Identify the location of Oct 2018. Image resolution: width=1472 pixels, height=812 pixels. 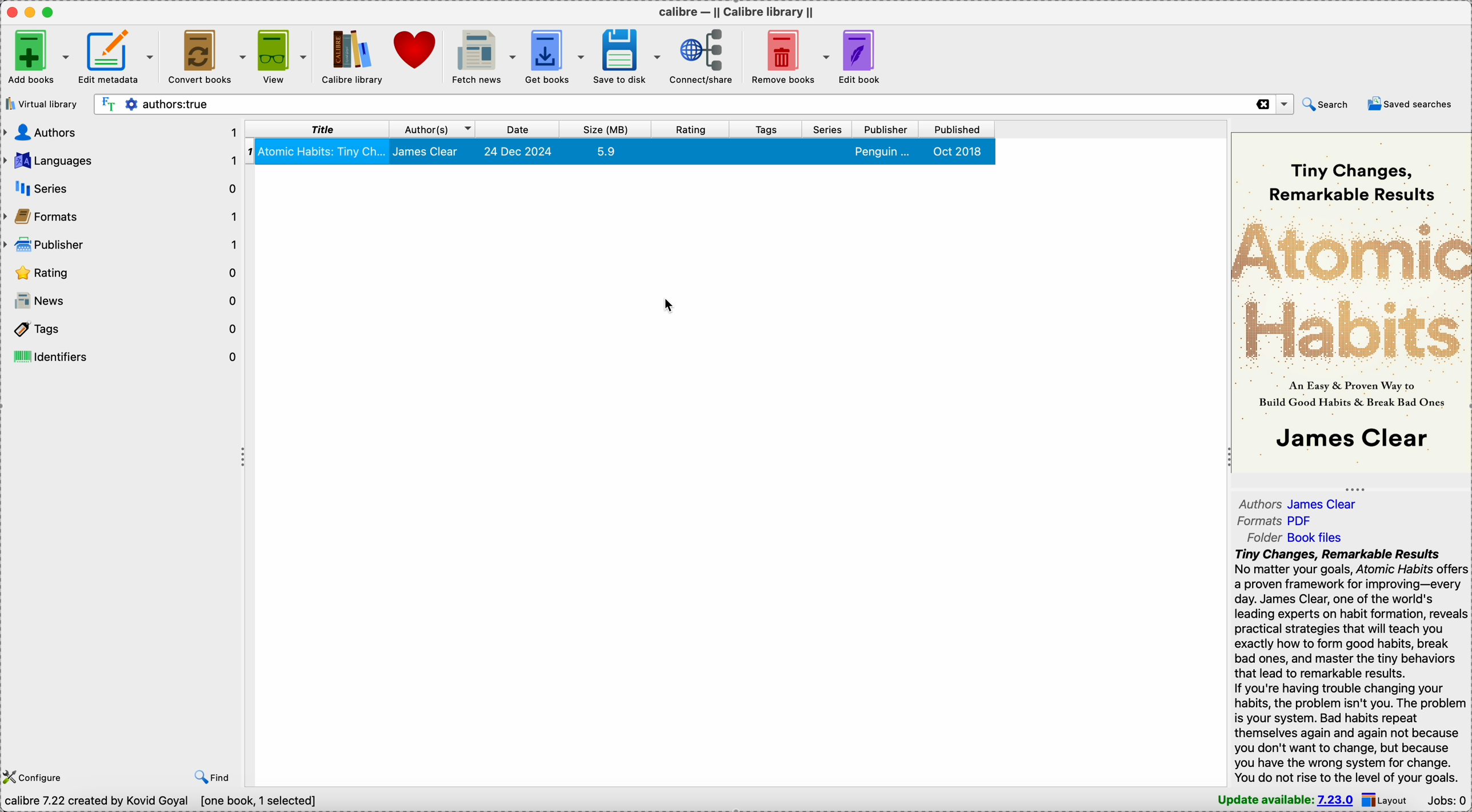
(959, 151).